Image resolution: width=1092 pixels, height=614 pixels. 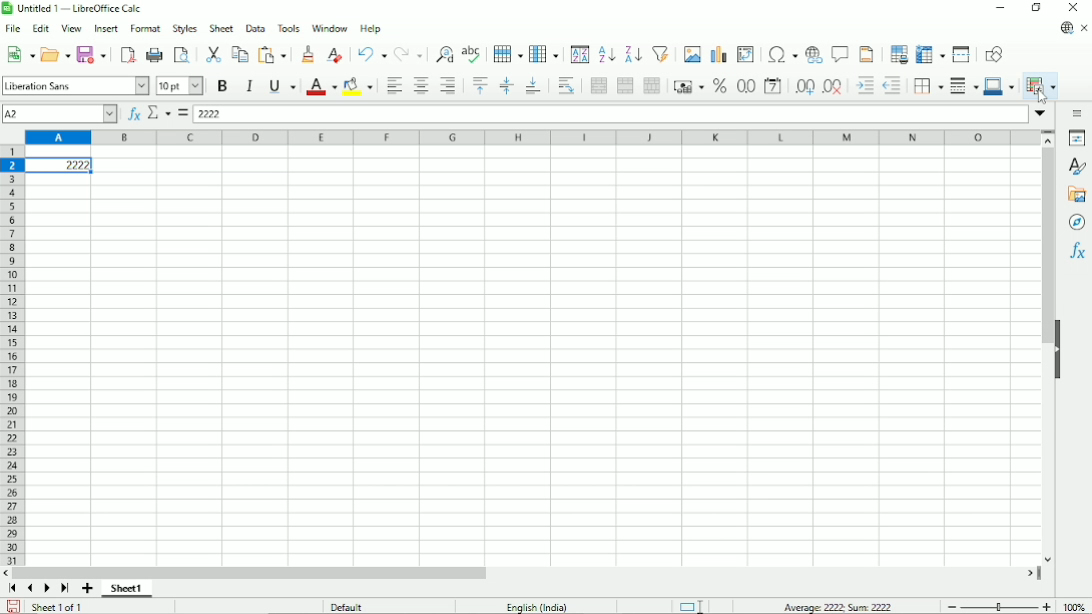 What do you see at coordinates (690, 53) in the screenshot?
I see `Insert Image ` at bounding box center [690, 53].